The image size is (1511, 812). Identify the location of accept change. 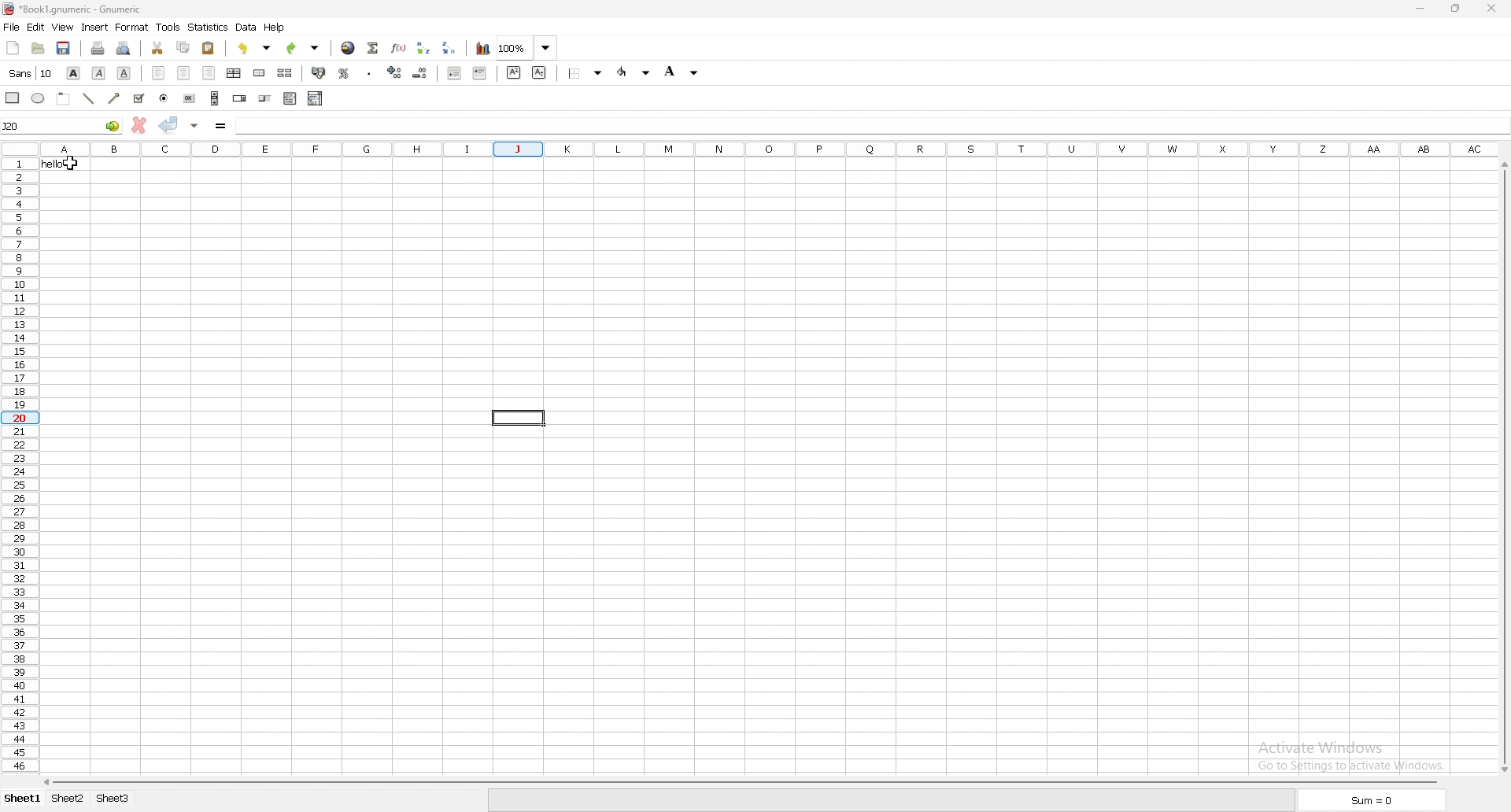
(170, 124).